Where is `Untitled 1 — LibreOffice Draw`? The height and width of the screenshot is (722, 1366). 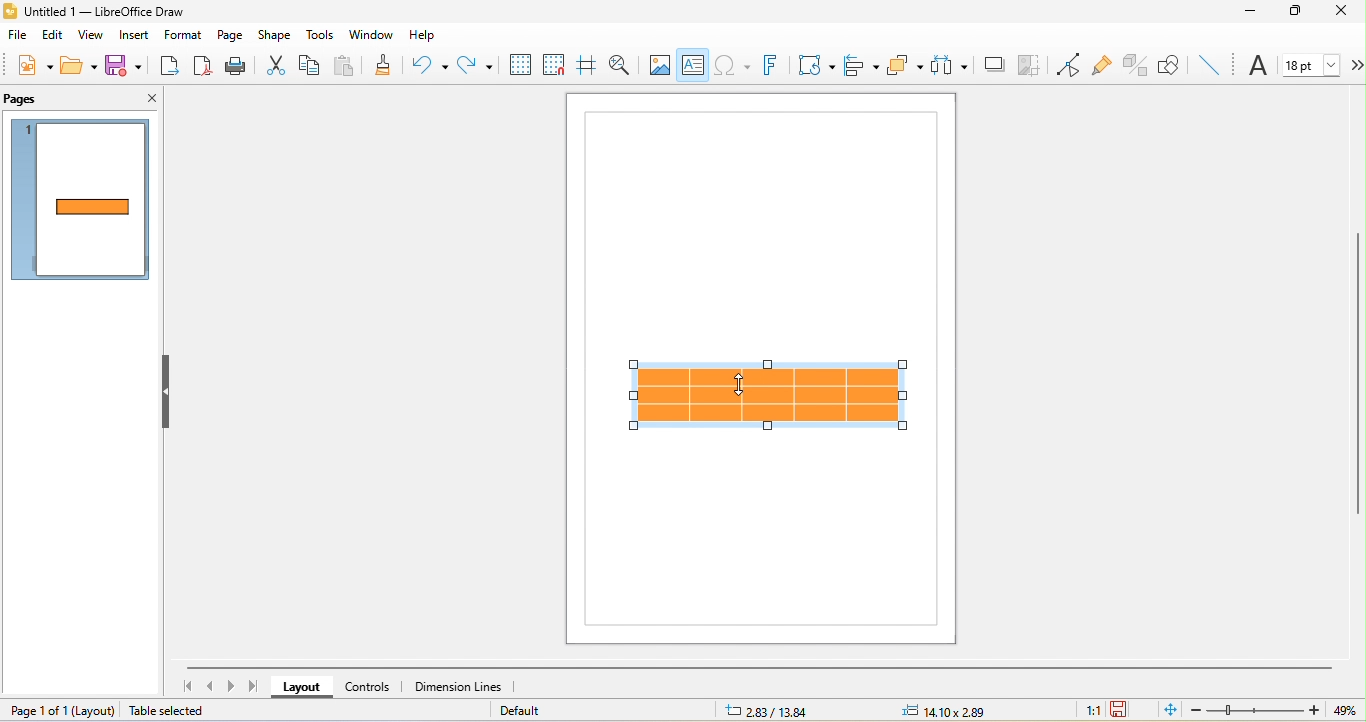
Untitled 1 — LibreOffice Draw is located at coordinates (93, 9).